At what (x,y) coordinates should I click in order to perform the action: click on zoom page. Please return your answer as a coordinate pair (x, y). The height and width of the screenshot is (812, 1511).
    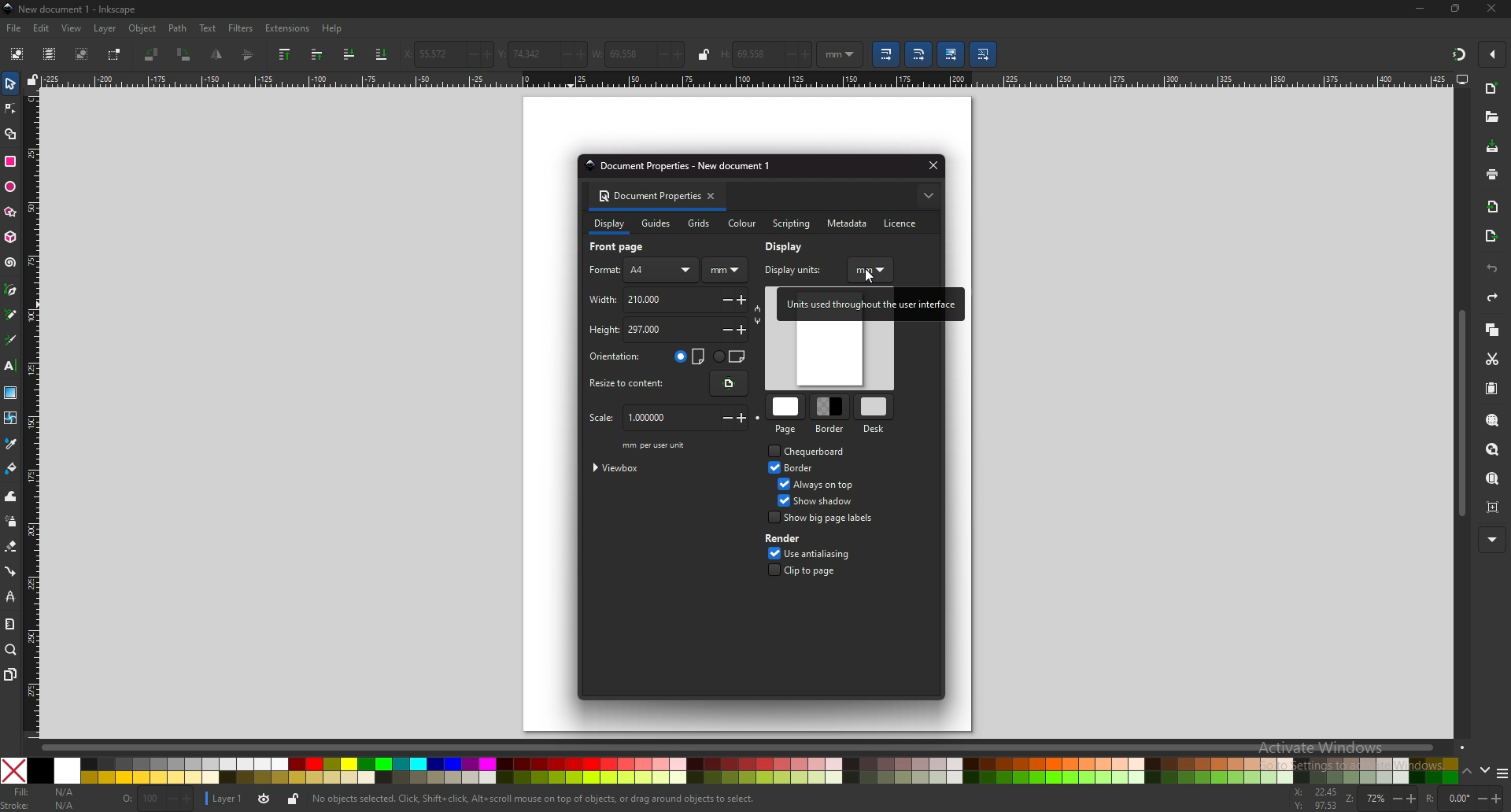
    Looking at the image, I should click on (1493, 478).